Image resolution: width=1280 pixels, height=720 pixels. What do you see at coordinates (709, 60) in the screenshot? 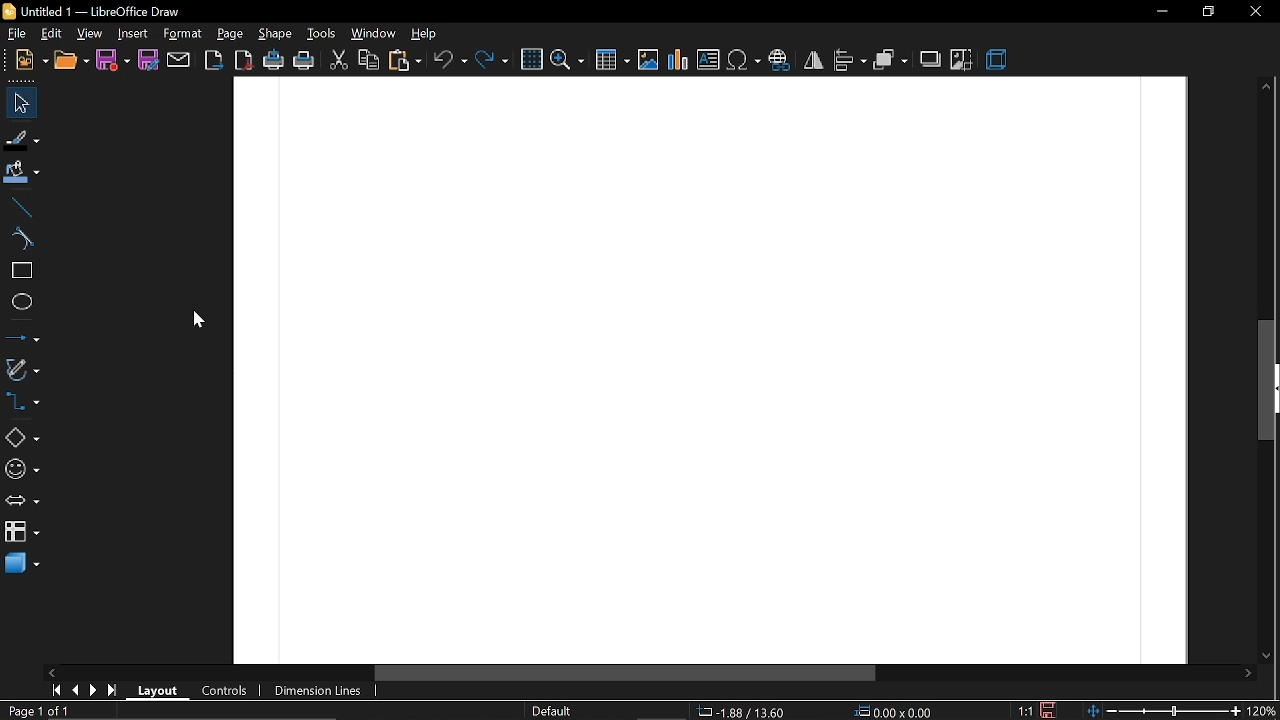
I see `insert text` at bounding box center [709, 60].